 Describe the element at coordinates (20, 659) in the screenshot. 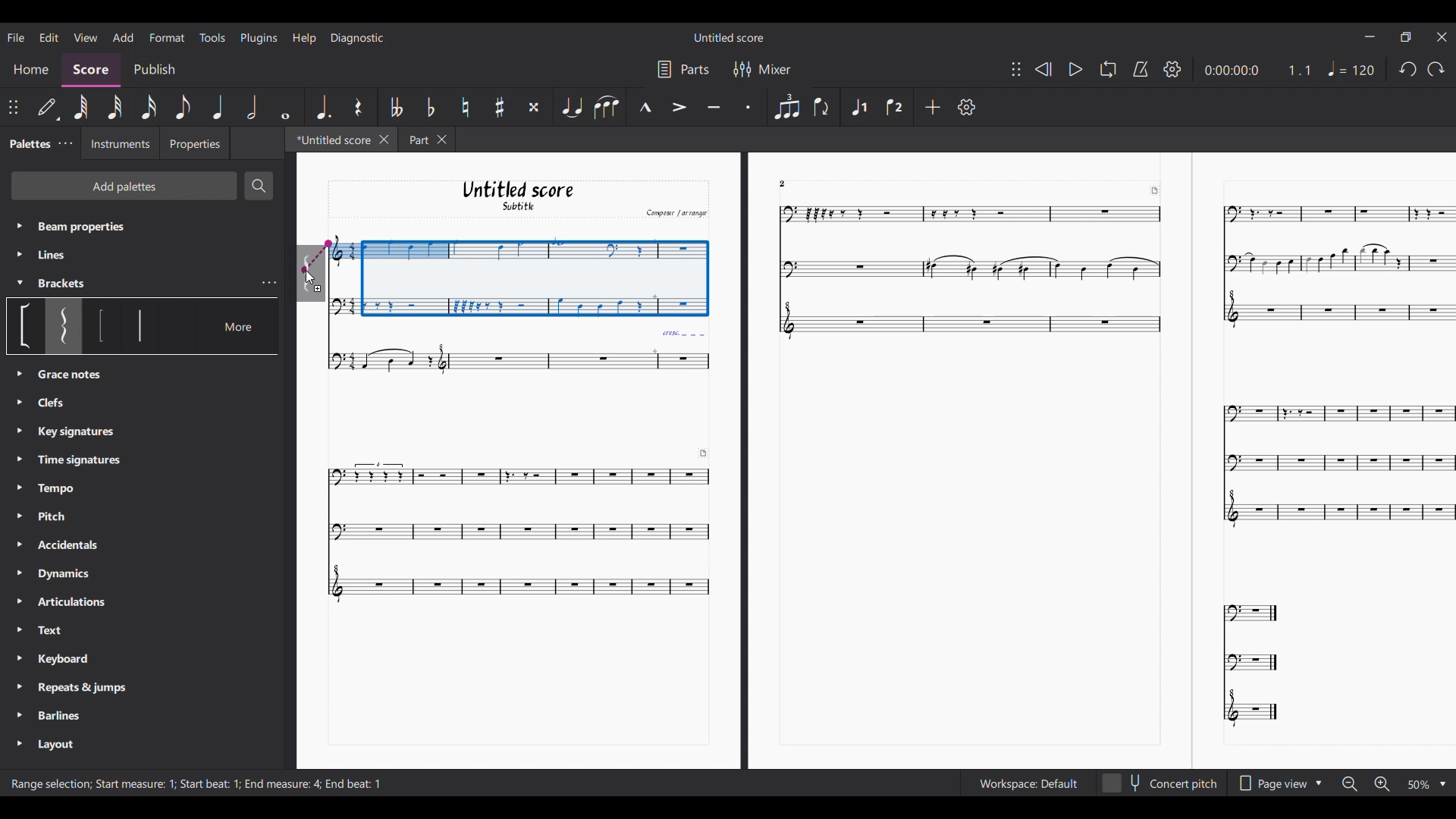

I see `` at that location.